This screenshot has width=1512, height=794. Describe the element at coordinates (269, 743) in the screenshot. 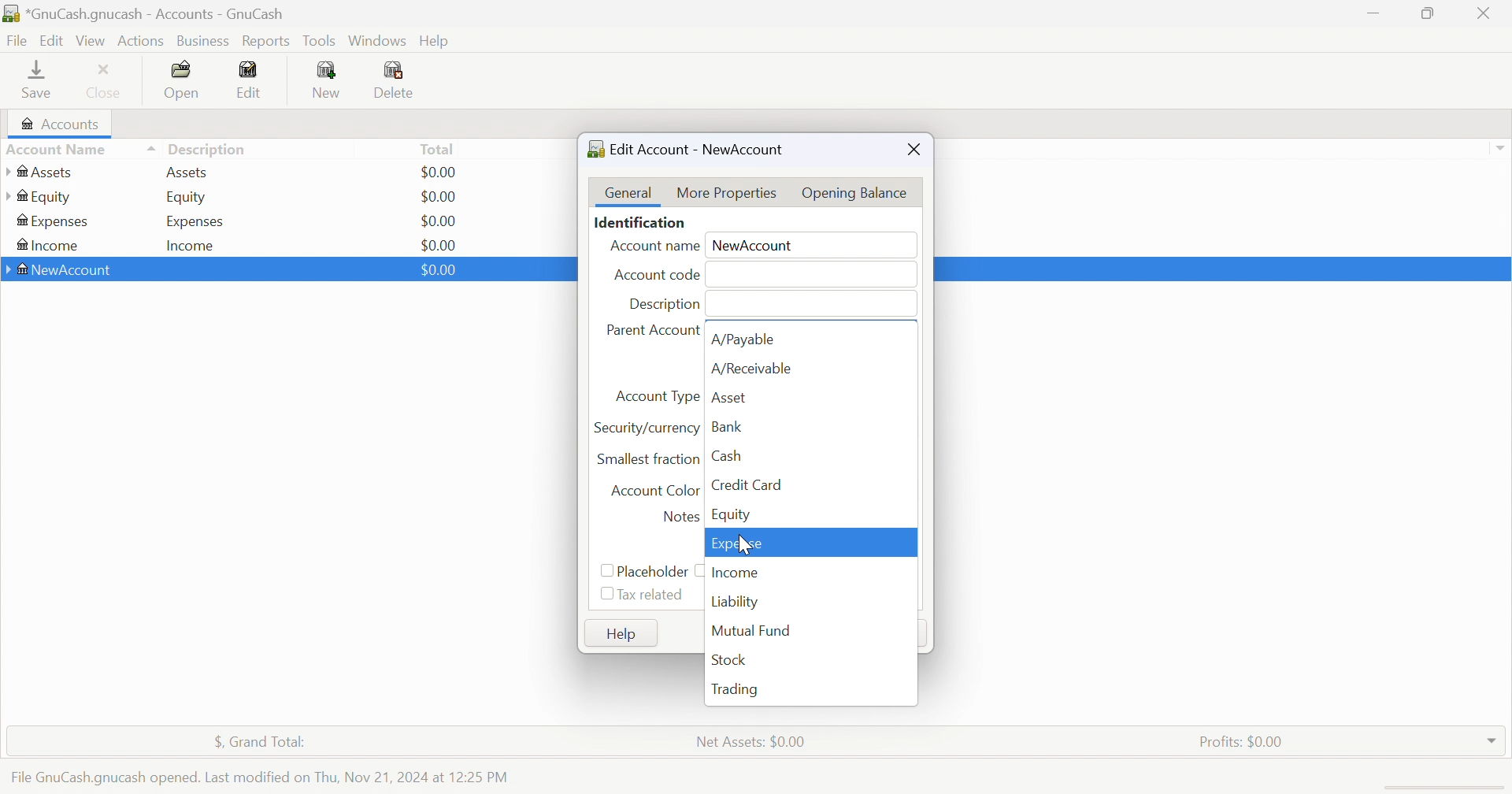

I see `$, Grand Total:` at that location.